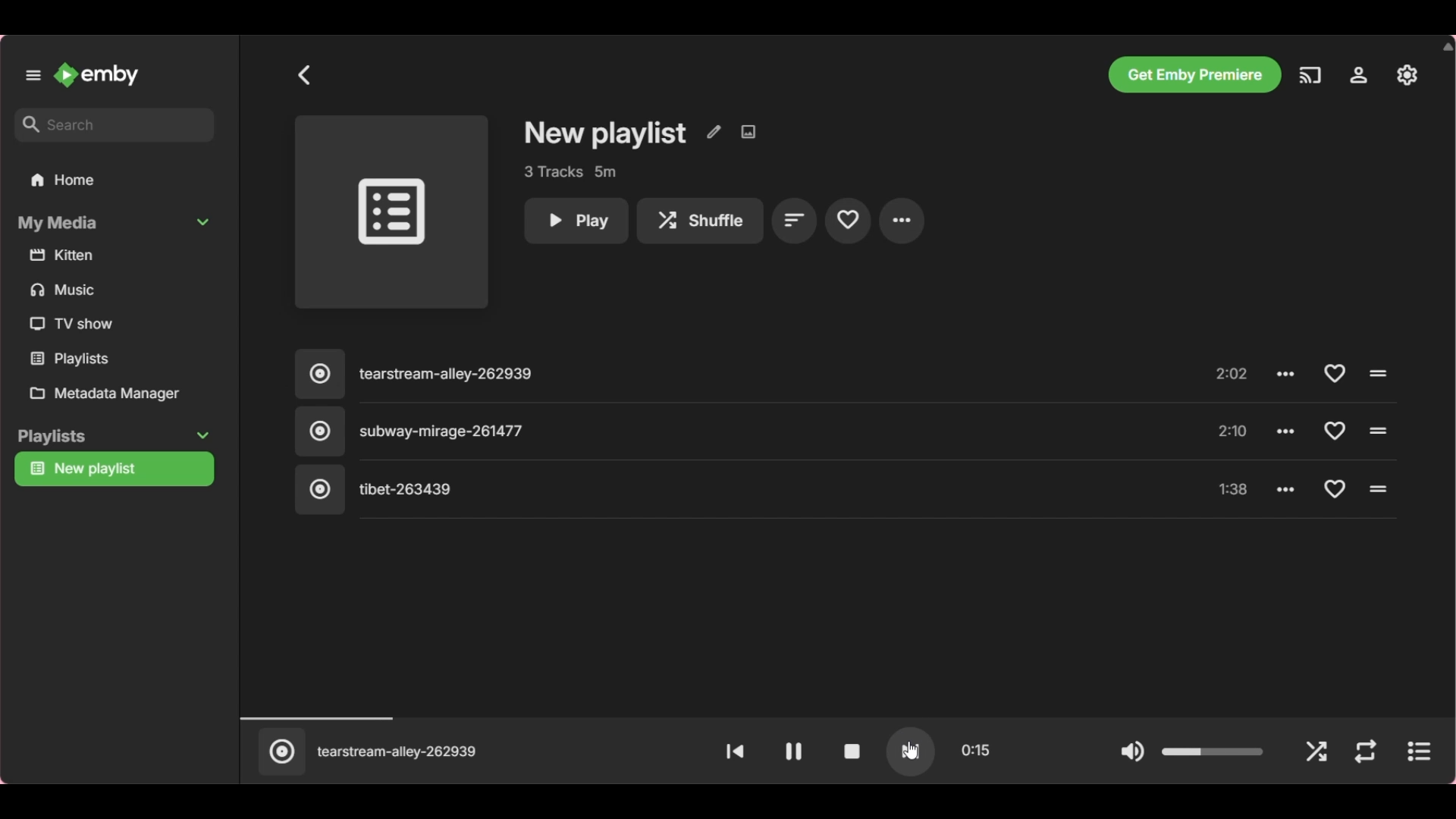 The image size is (1456, 819). What do you see at coordinates (1408, 74) in the screenshot?
I see `Settings` at bounding box center [1408, 74].